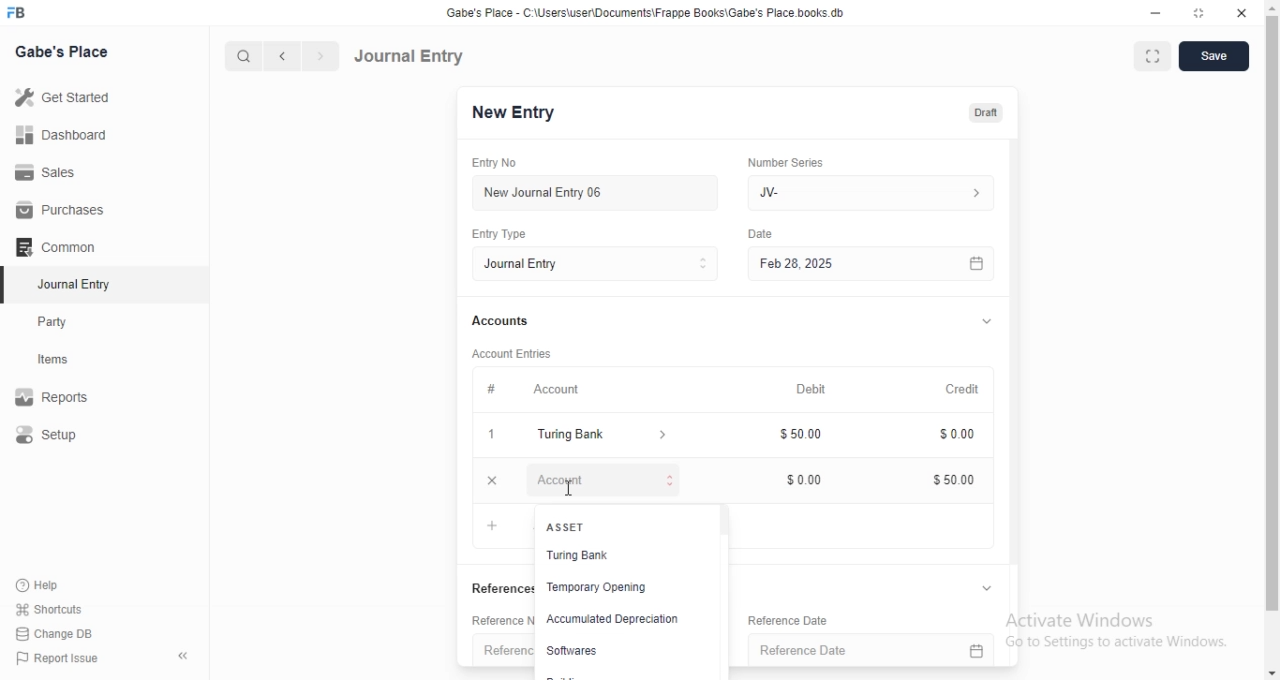  What do you see at coordinates (599, 478) in the screenshot?
I see `Add Row` at bounding box center [599, 478].